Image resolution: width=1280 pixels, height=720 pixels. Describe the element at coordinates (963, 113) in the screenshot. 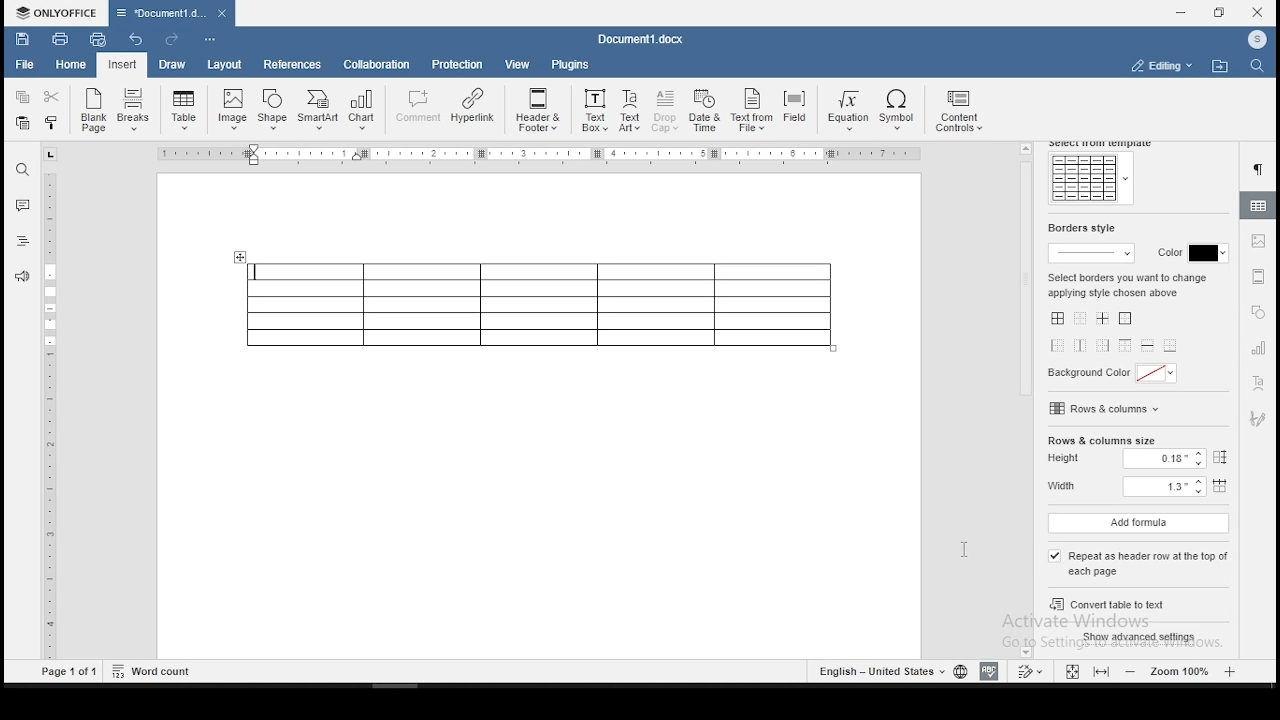

I see `content controls` at that location.